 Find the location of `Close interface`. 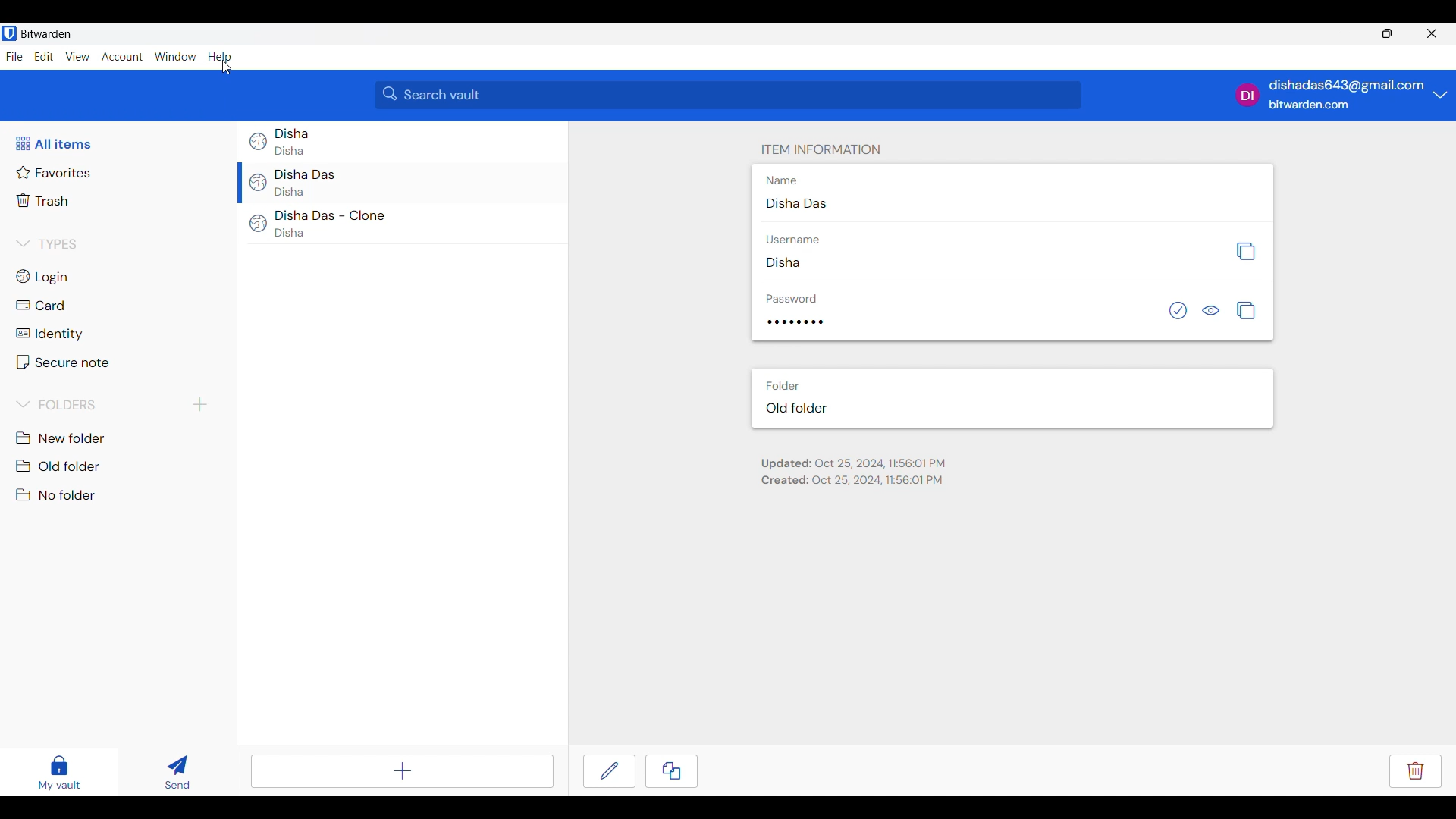

Close interface is located at coordinates (1432, 33).